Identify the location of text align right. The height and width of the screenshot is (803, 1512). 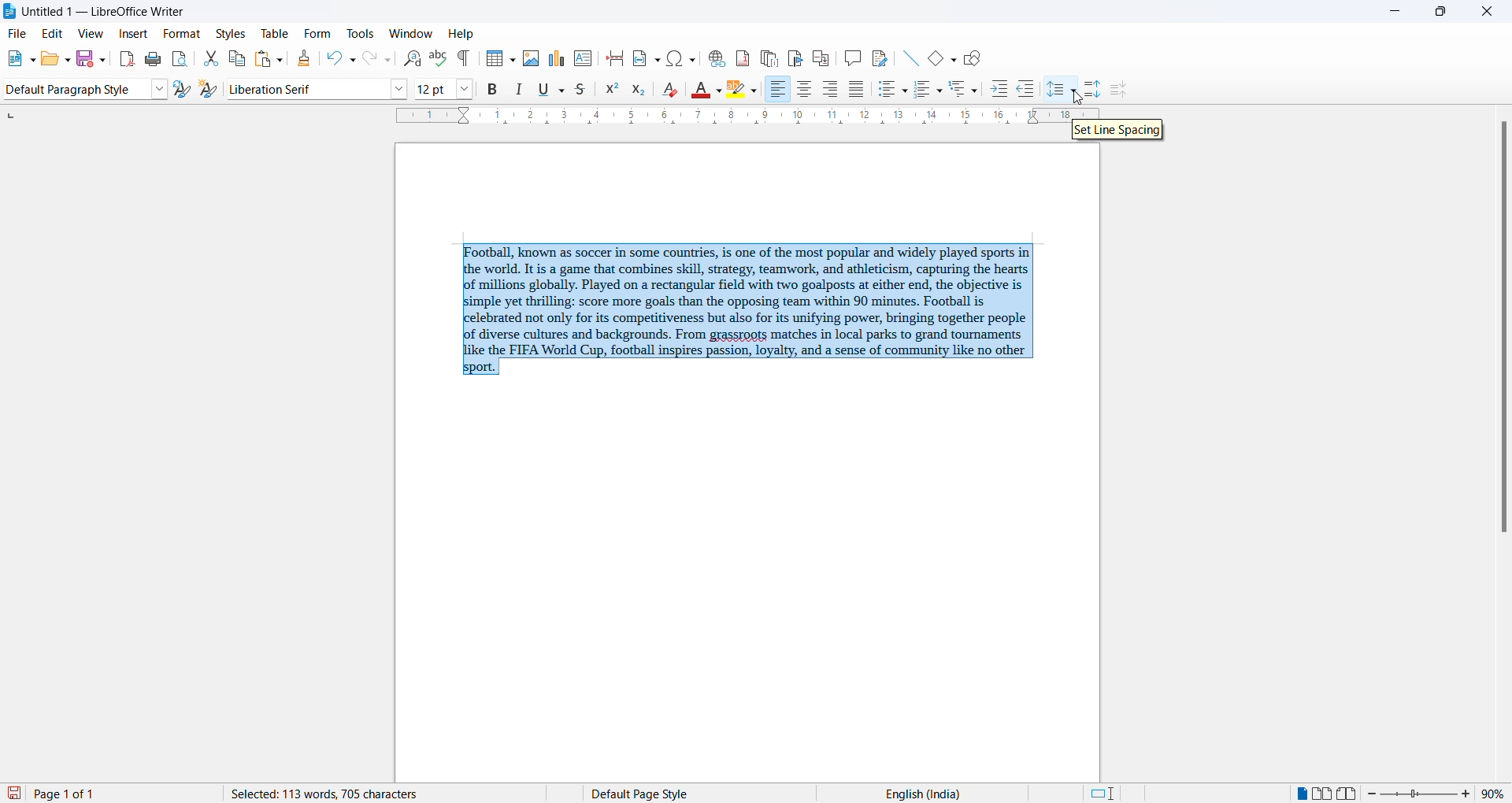
(778, 90).